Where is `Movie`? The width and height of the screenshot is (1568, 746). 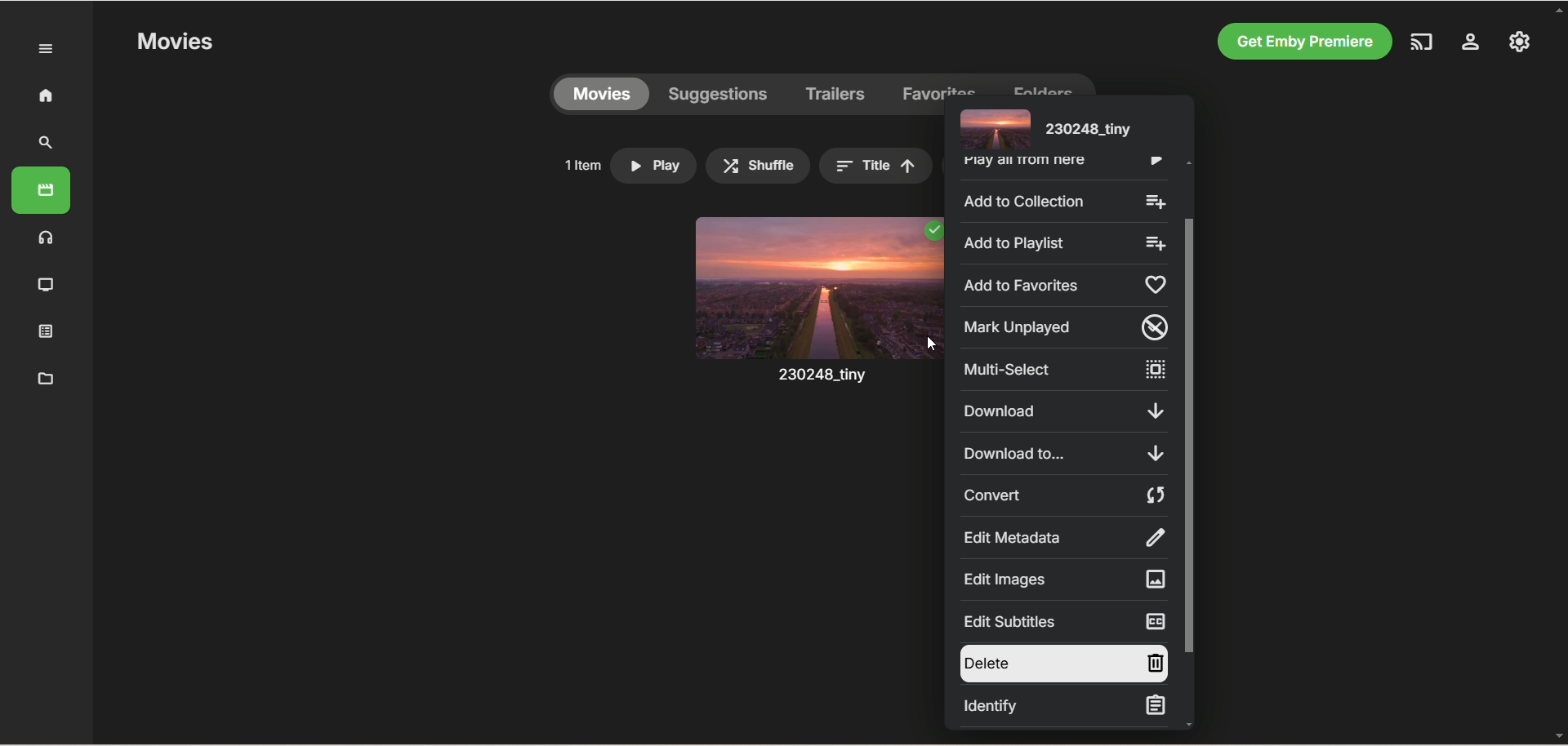
Movie is located at coordinates (816, 317).